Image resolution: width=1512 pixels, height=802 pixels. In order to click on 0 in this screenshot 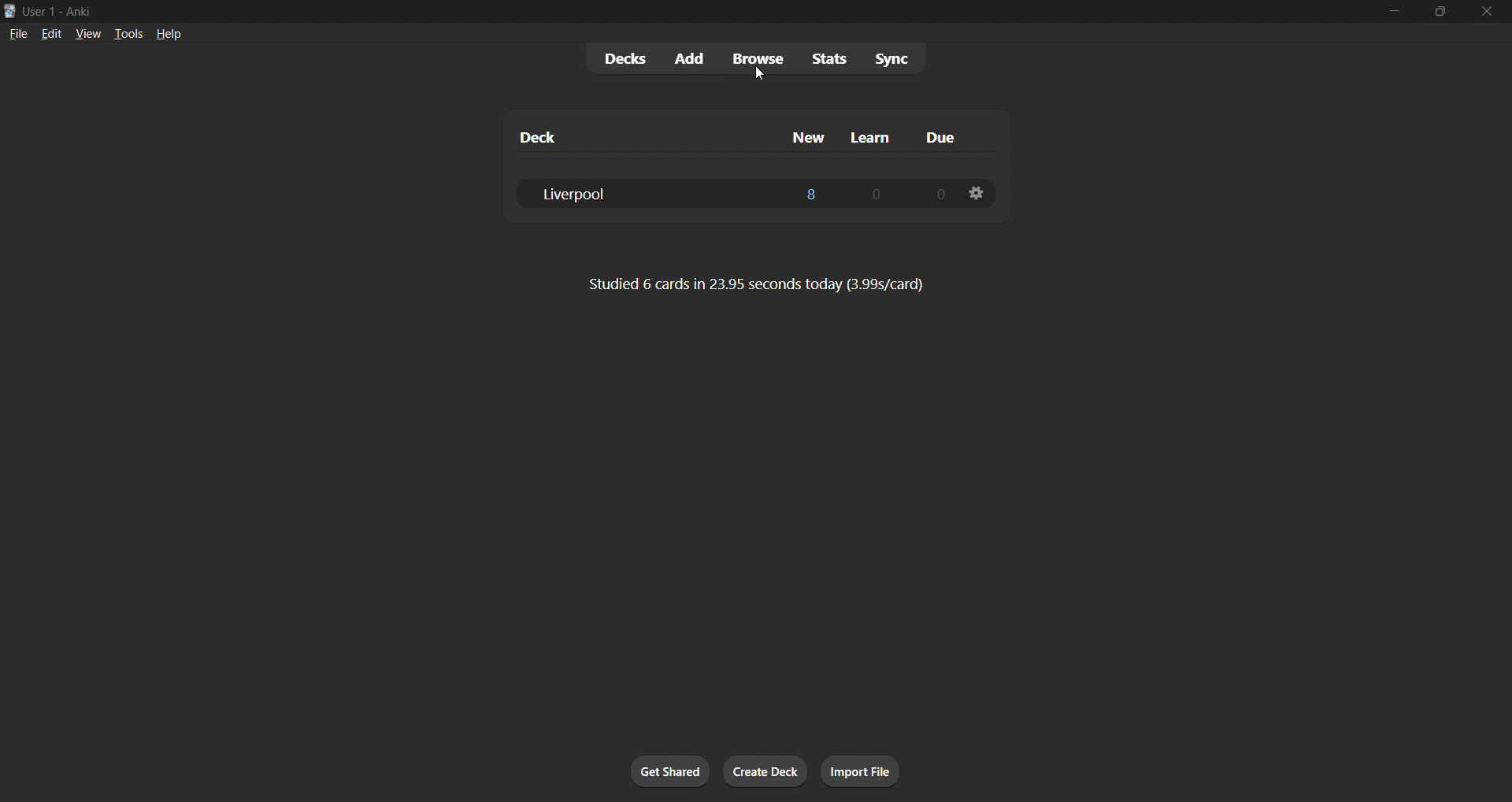, I will do `click(940, 198)`.